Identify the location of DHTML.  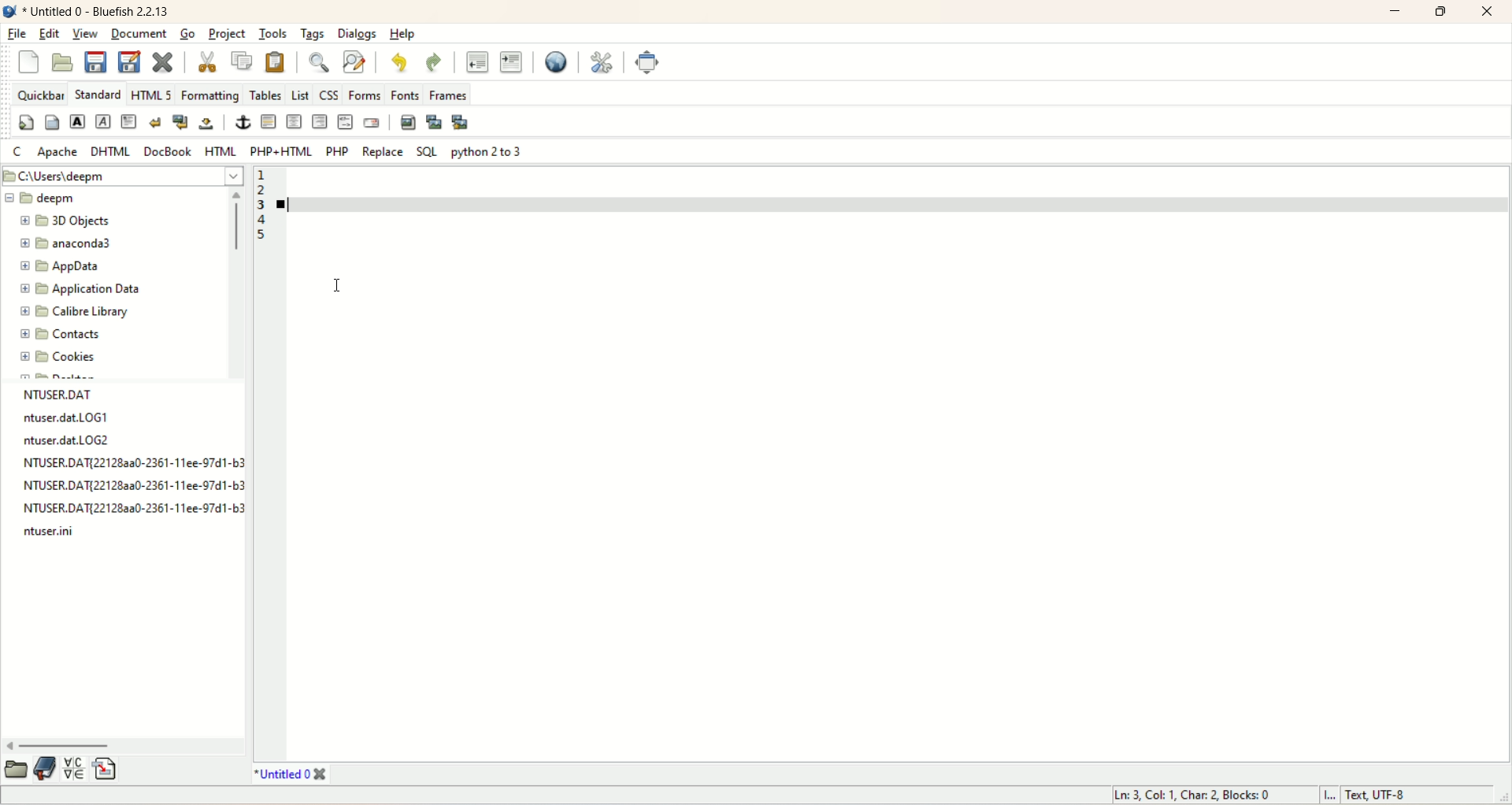
(113, 152).